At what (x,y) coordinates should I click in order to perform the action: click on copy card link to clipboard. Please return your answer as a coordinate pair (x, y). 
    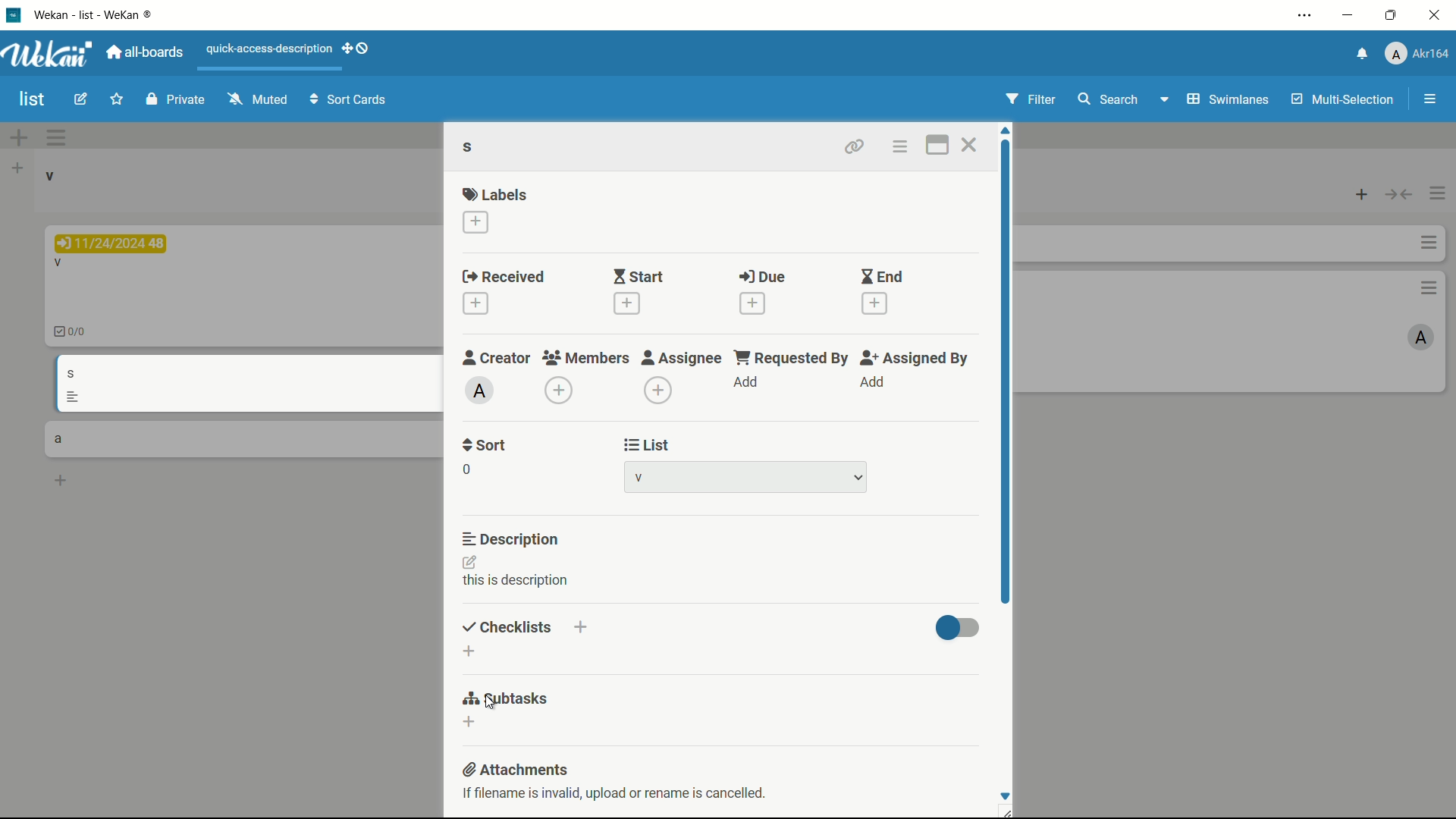
    Looking at the image, I should click on (854, 145).